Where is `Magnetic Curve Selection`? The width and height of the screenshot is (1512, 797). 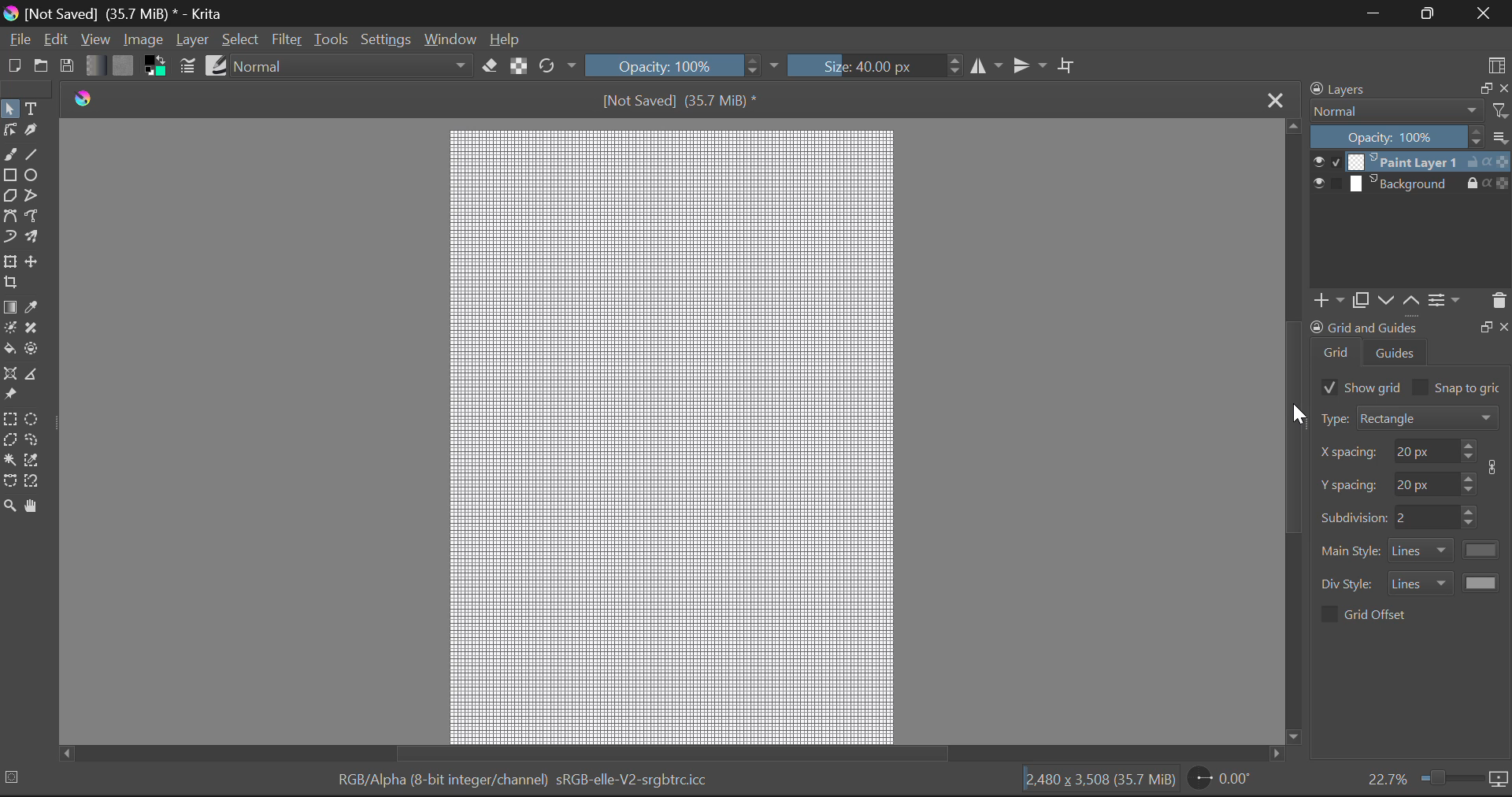
Magnetic Curve Selection is located at coordinates (34, 482).